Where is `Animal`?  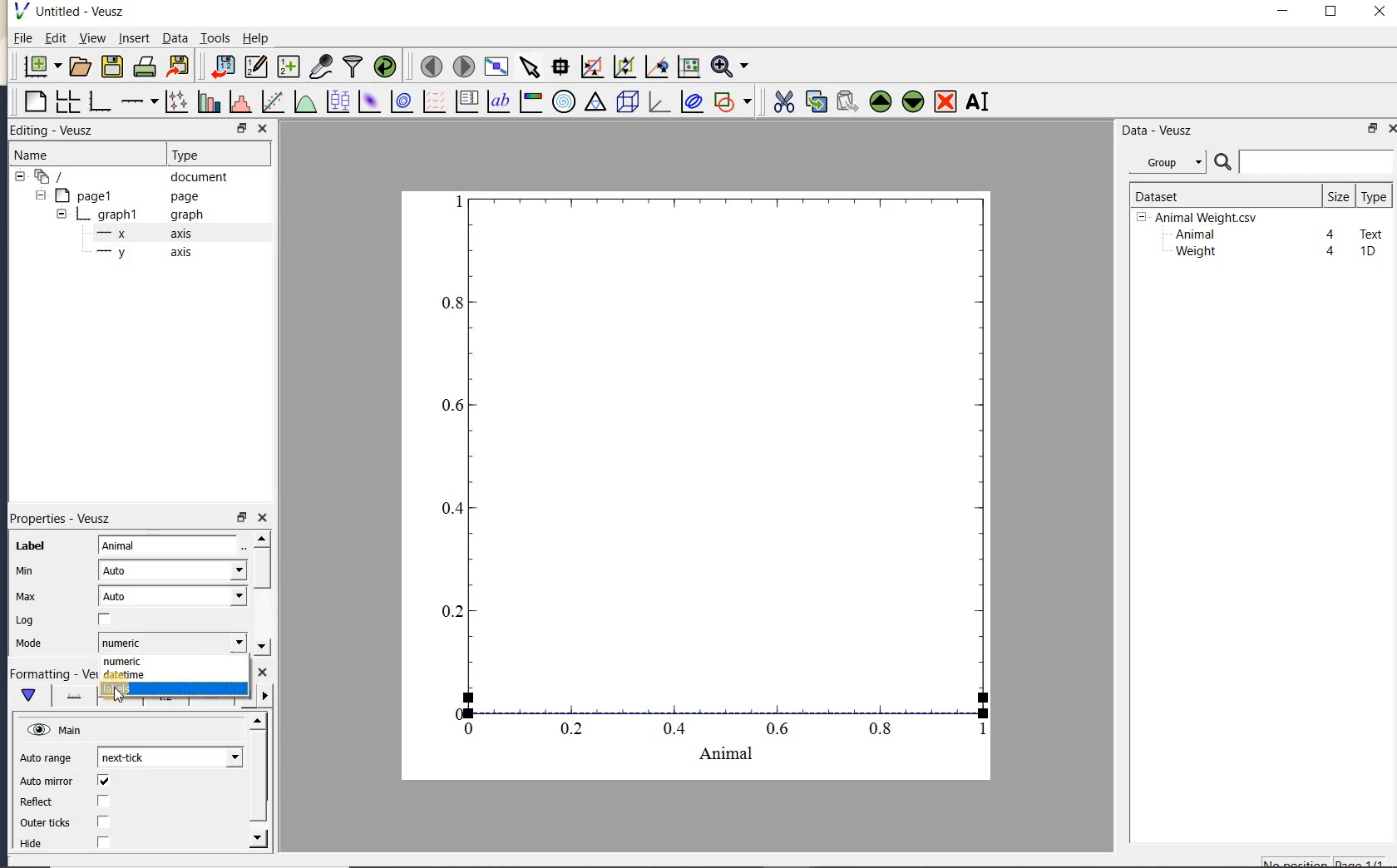 Animal is located at coordinates (170, 546).